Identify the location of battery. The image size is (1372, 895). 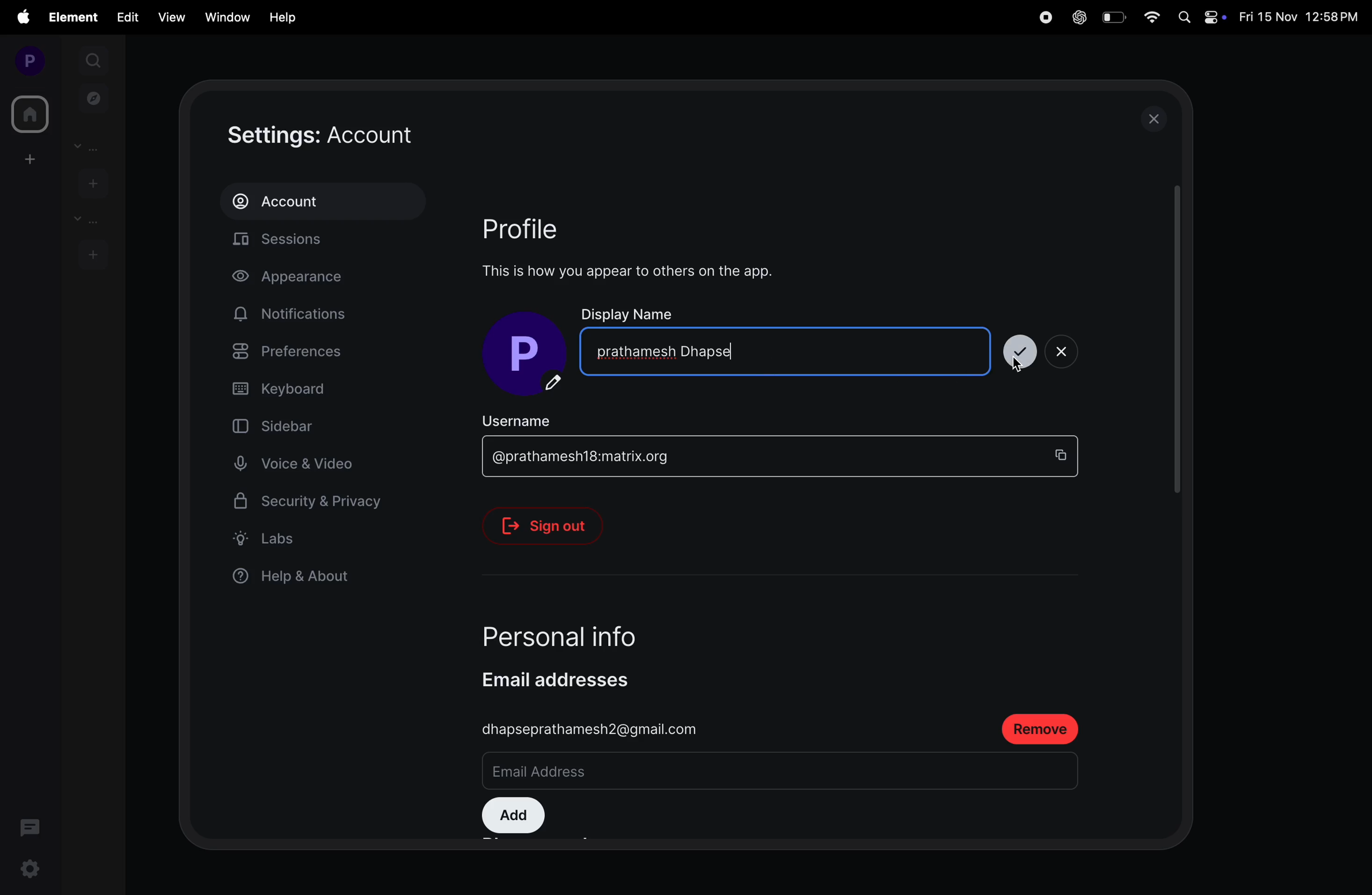
(1113, 17).